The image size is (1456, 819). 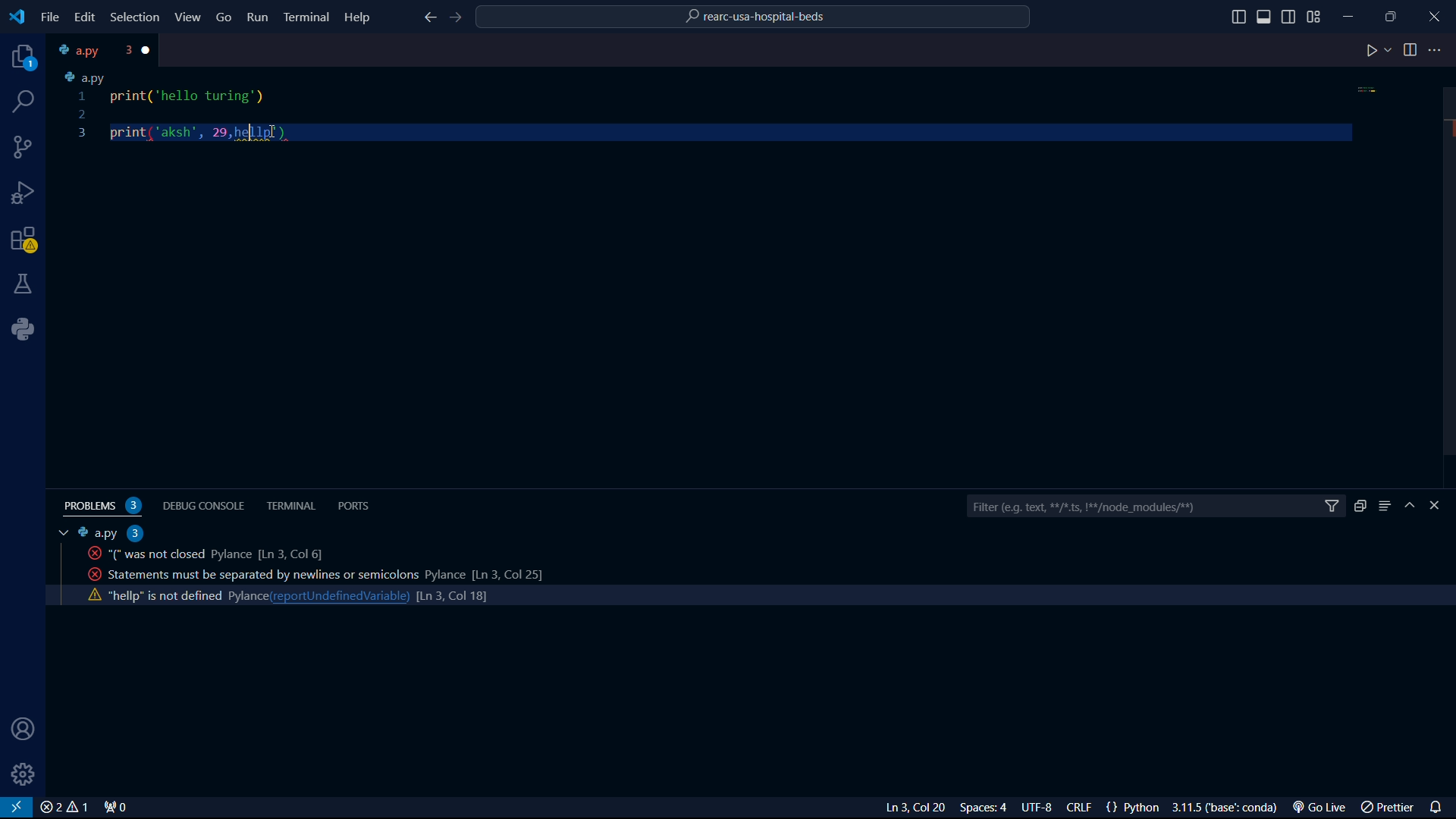 I want to click on notifications, so click(x=1439, y=805).